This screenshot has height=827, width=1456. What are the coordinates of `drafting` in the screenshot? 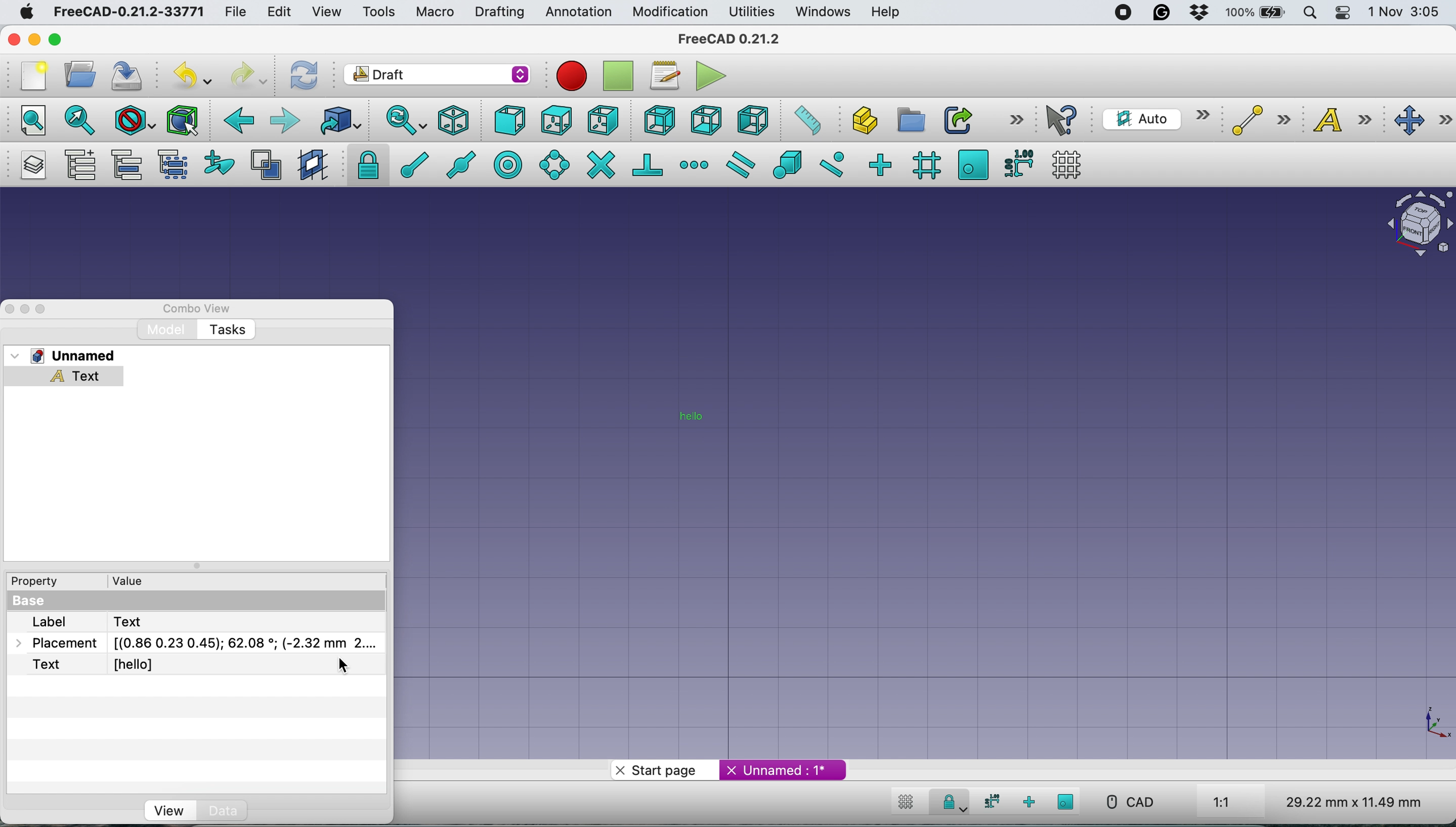 It's located at (497, 12).